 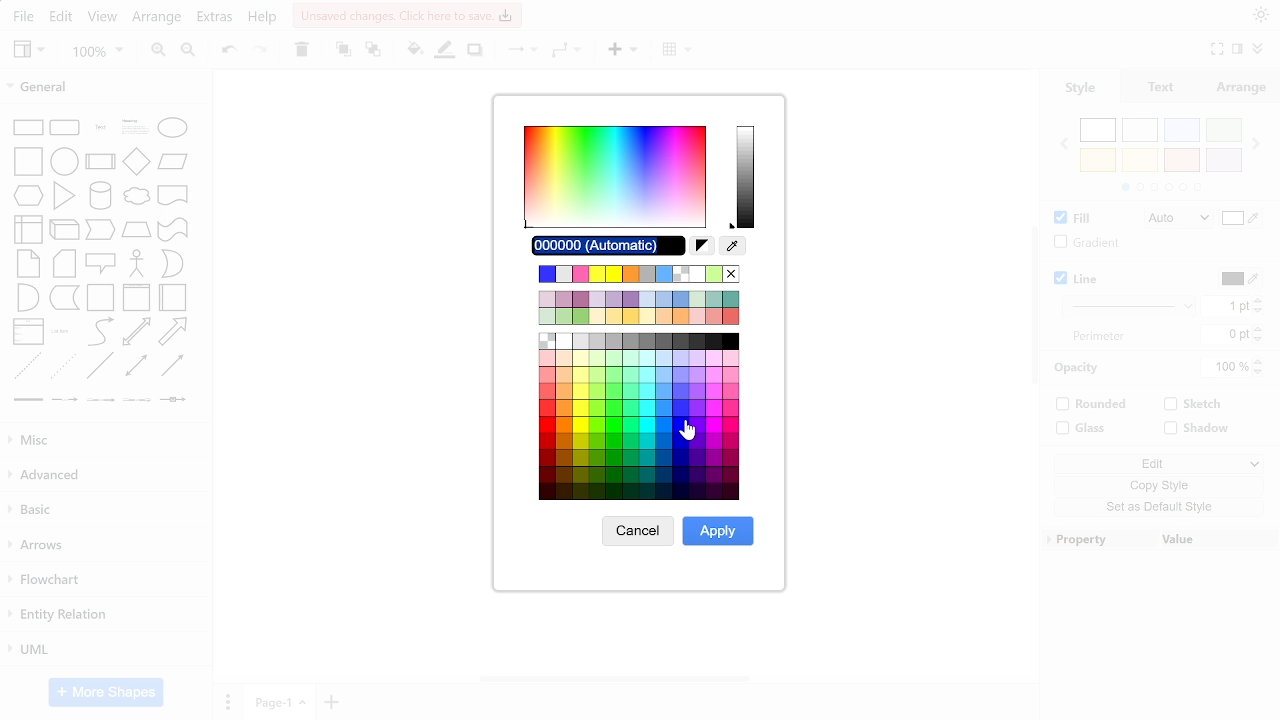 I want to click on current color spectrum, so click(x=748, y=175).